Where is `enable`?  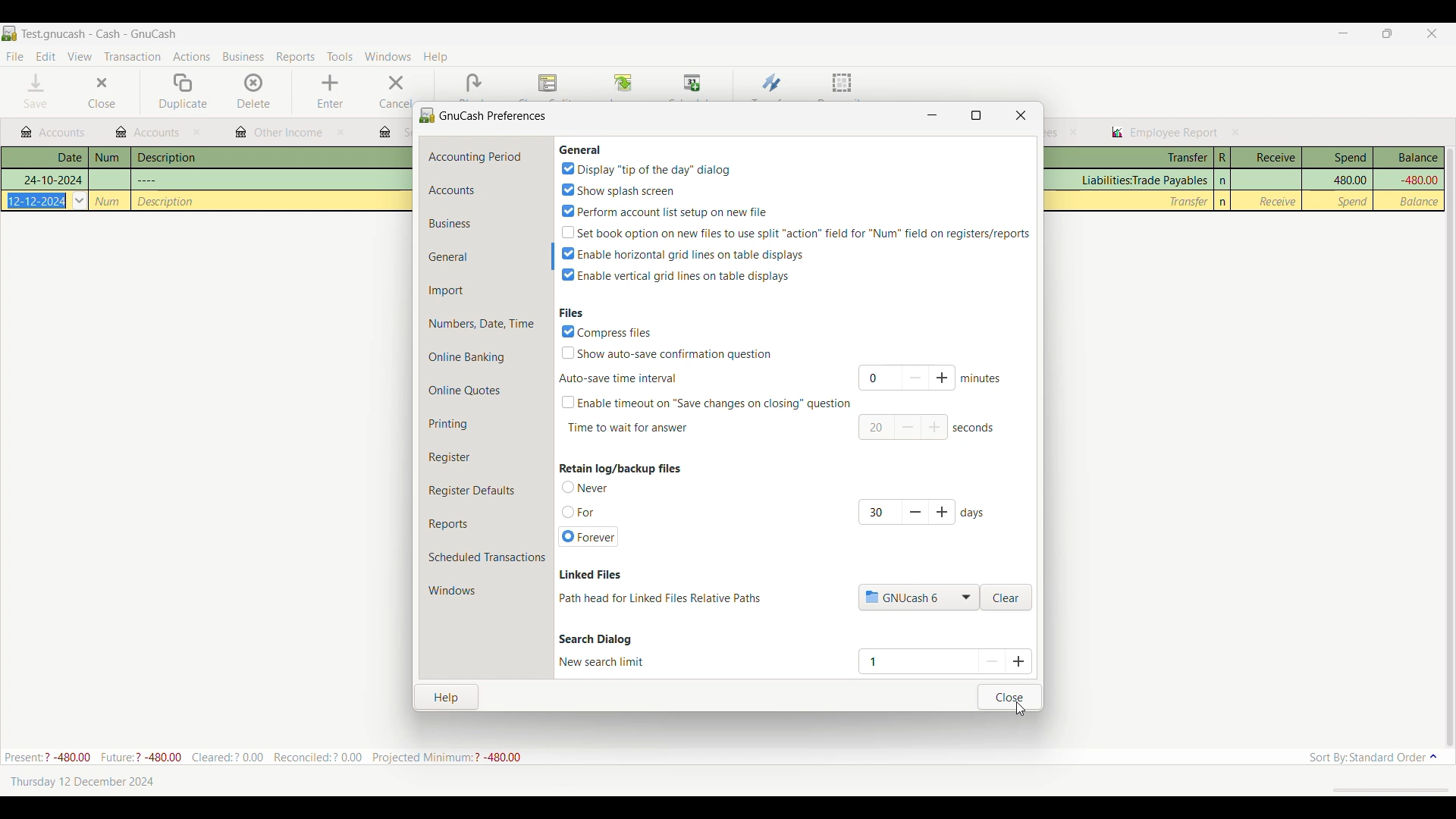
enable is located at coordinates (685, 253).